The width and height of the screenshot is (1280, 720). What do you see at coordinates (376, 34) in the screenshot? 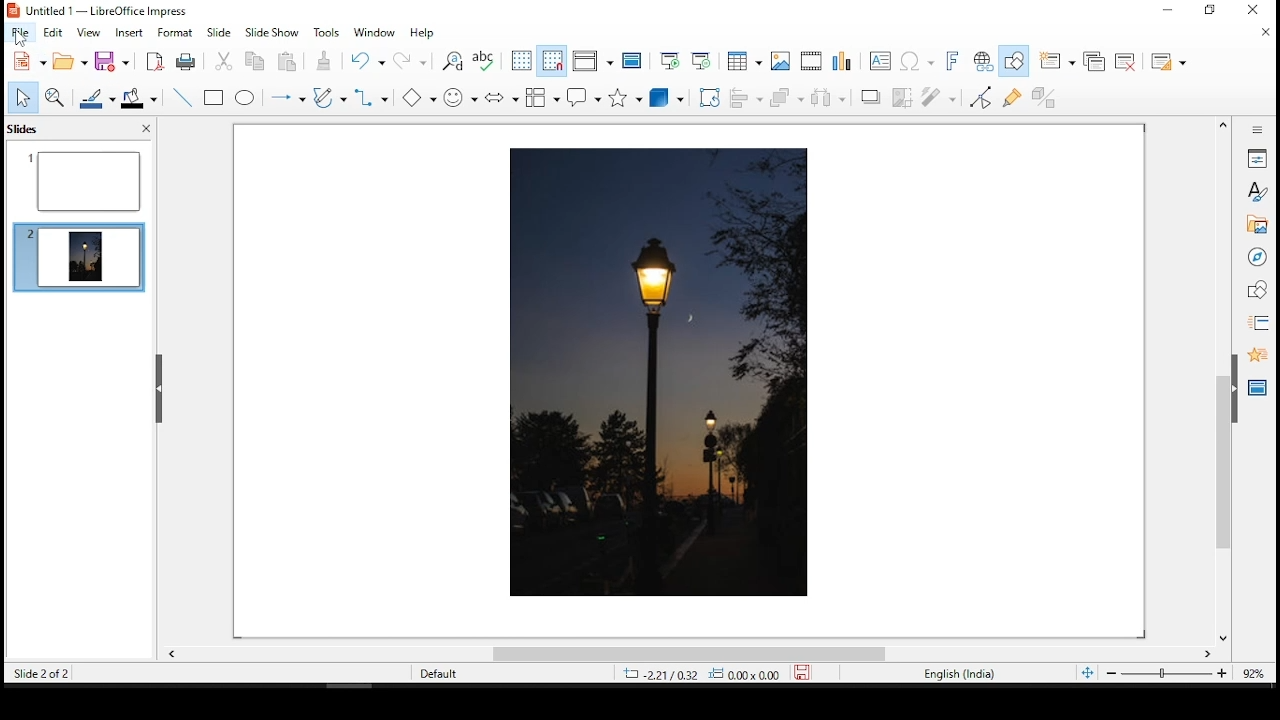
I see `window` at bounding box center [376, 34].